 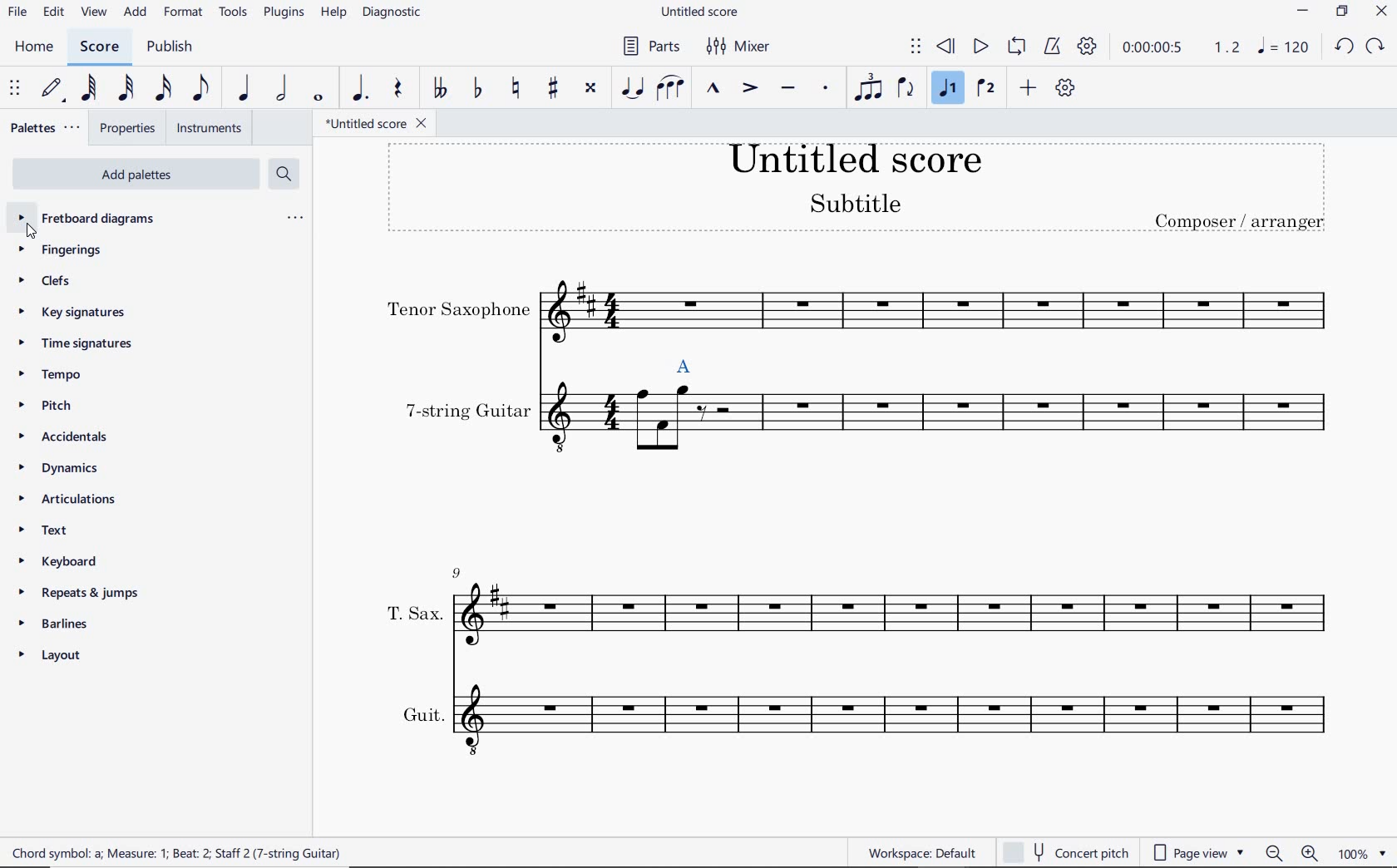 I want to click on TOGGLE FLAT, so click(x=476, y=89).